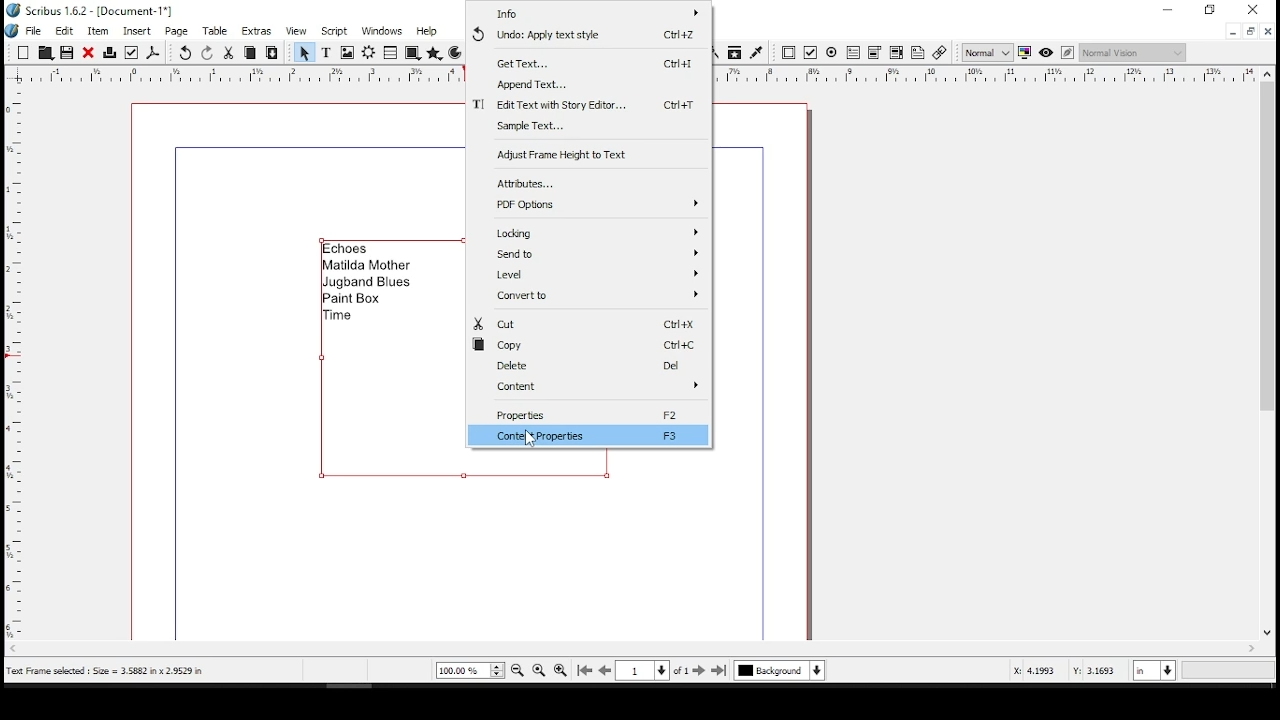 The height and width of the screenshot is (720, 1280). I want to click on select the visual appearance of display, so click(1132, 52).